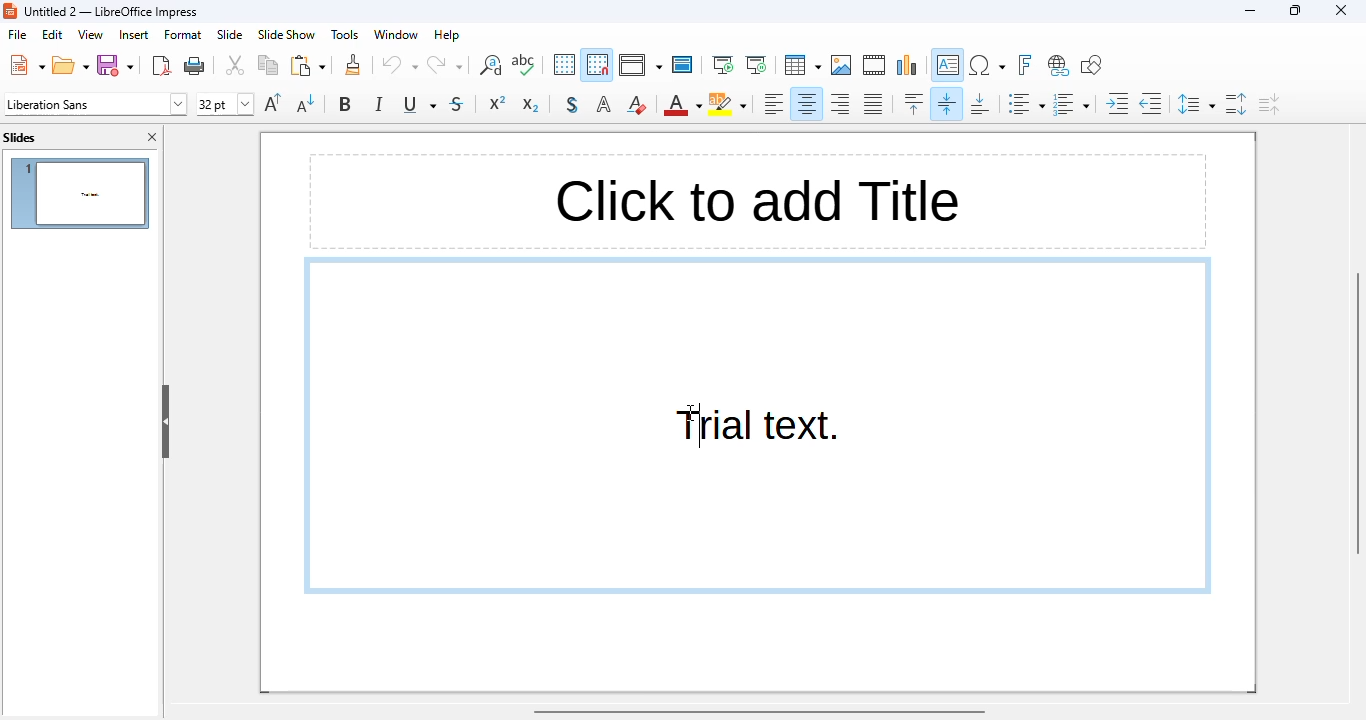 This screenshot has width=1366, height=720. What do you see at coordinates (752, 200) in the screenshot?
I see `Click to add Text` at bounding box center [752, 200].